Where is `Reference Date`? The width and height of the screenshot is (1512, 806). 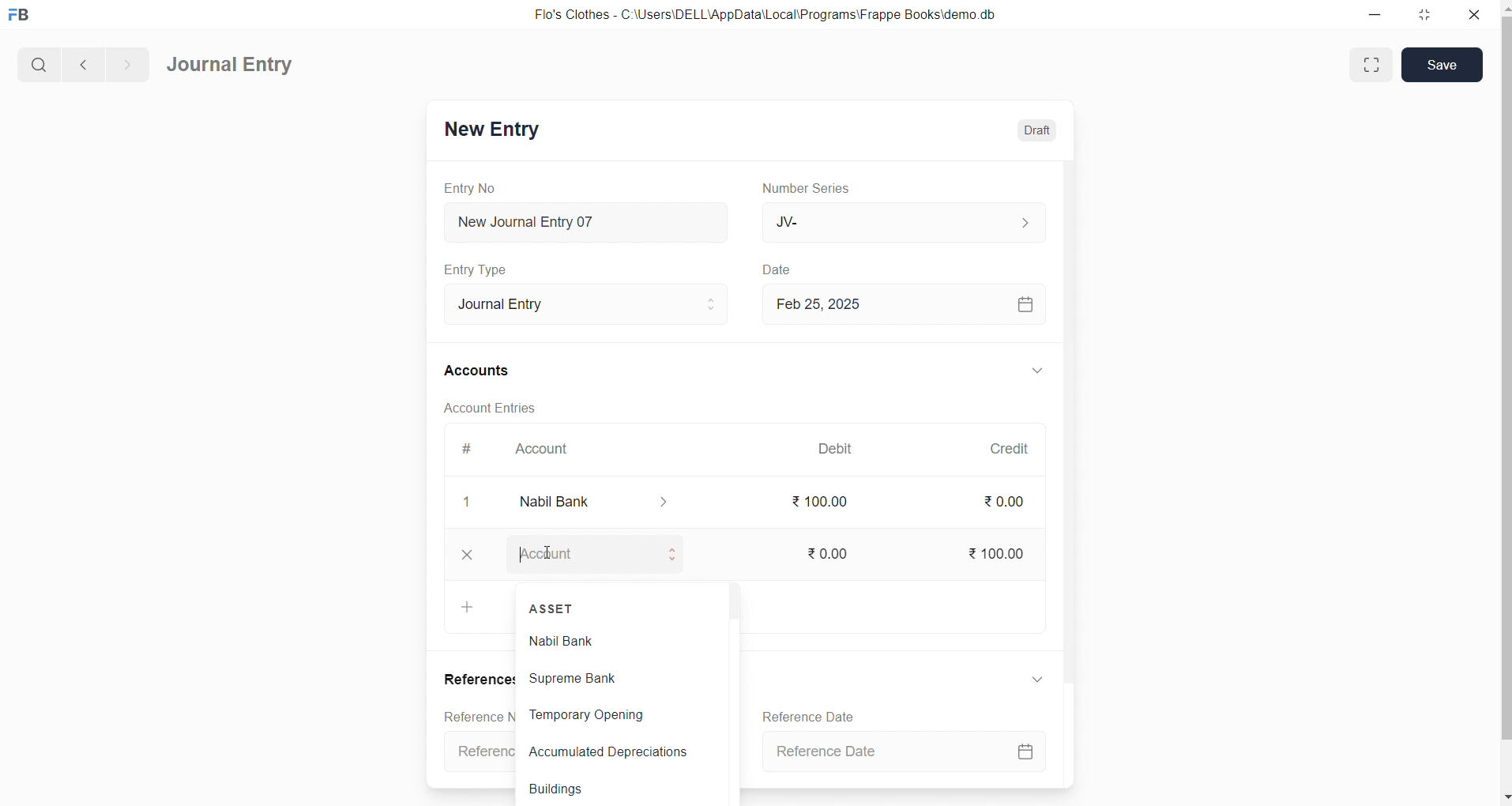
Reference Date is located at coordinates (899, 752).